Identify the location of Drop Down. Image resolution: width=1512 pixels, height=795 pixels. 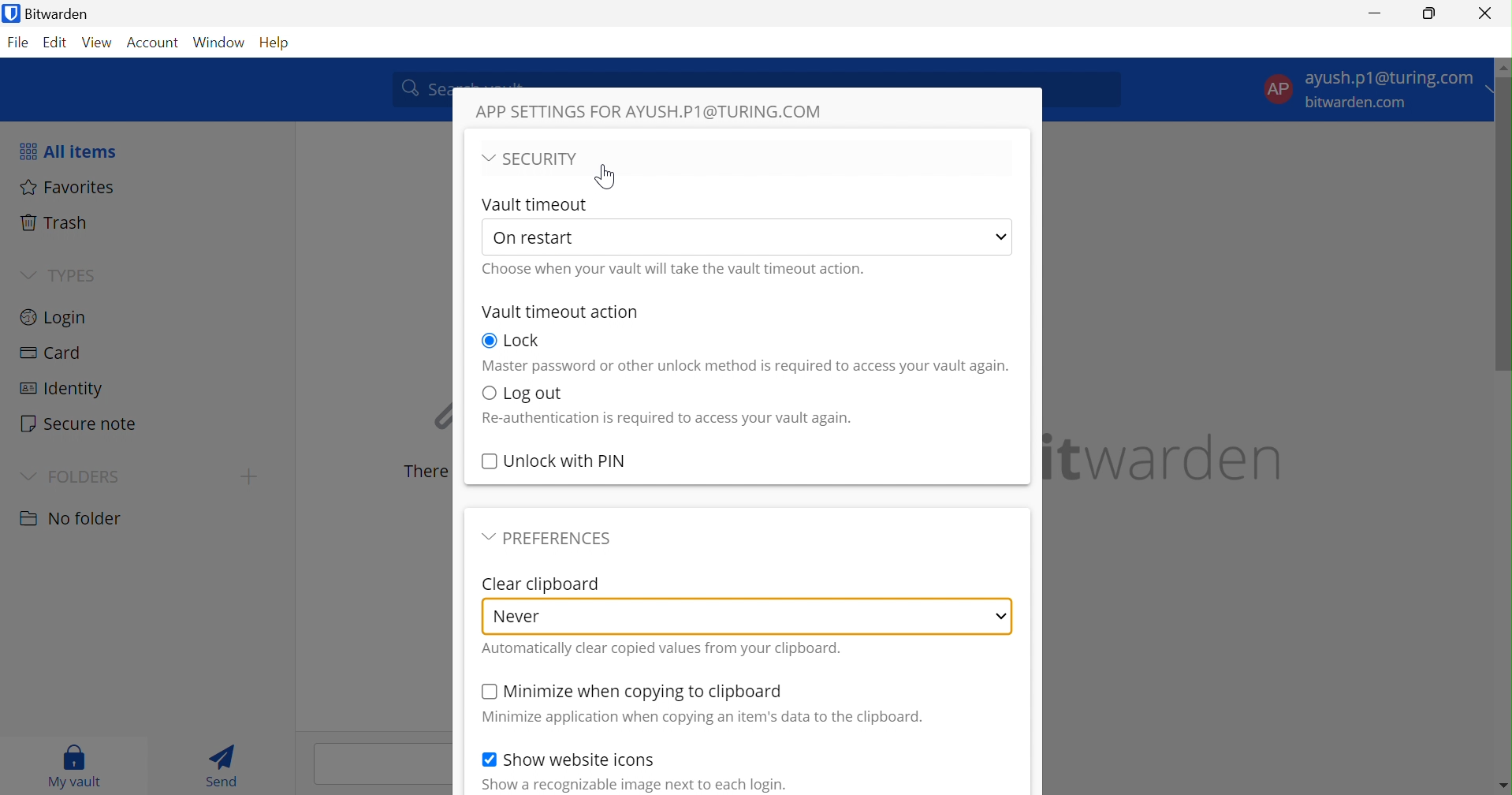
(27, 478).